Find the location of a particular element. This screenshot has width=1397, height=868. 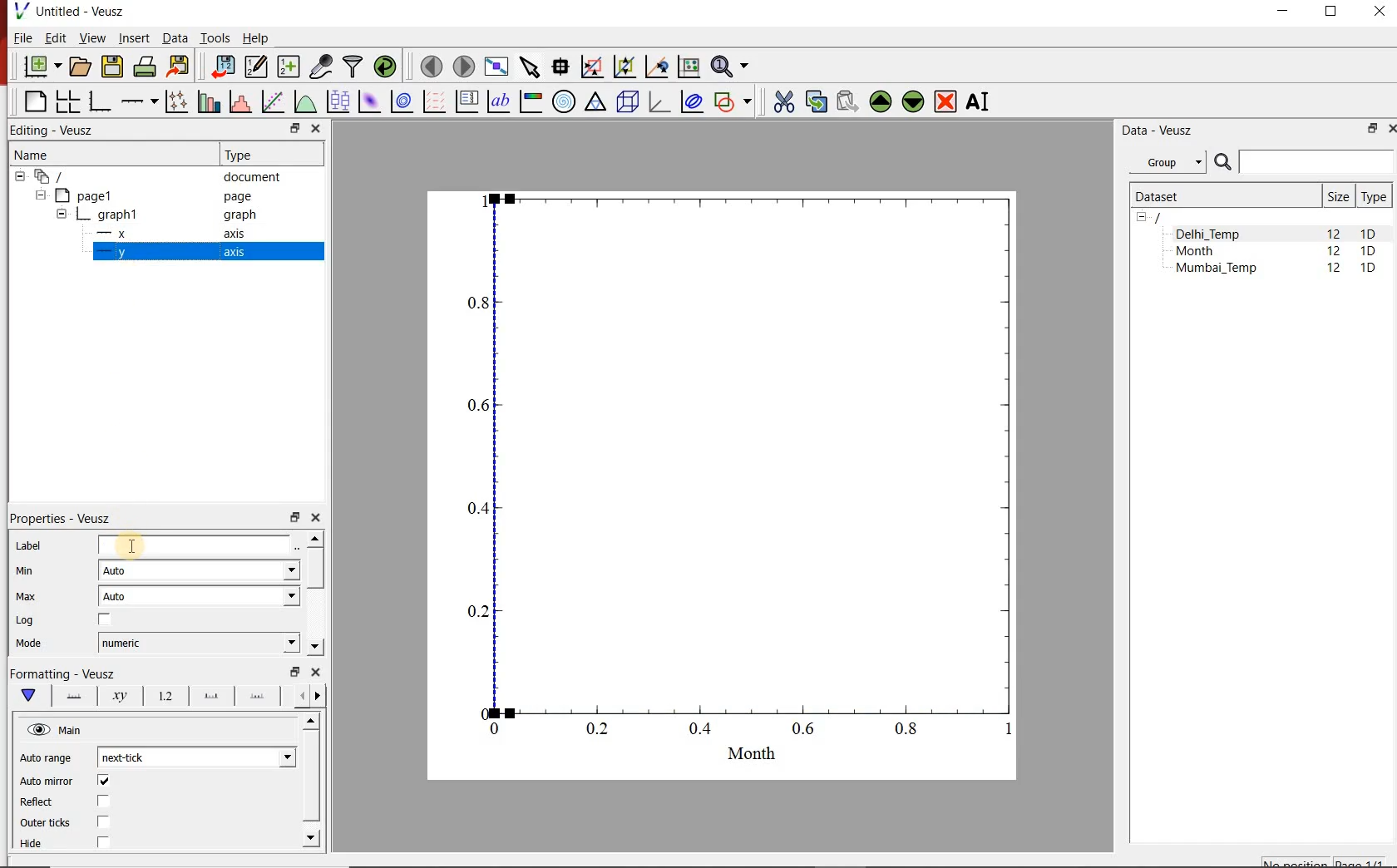

3d graph is located at coordinates (657, 101).